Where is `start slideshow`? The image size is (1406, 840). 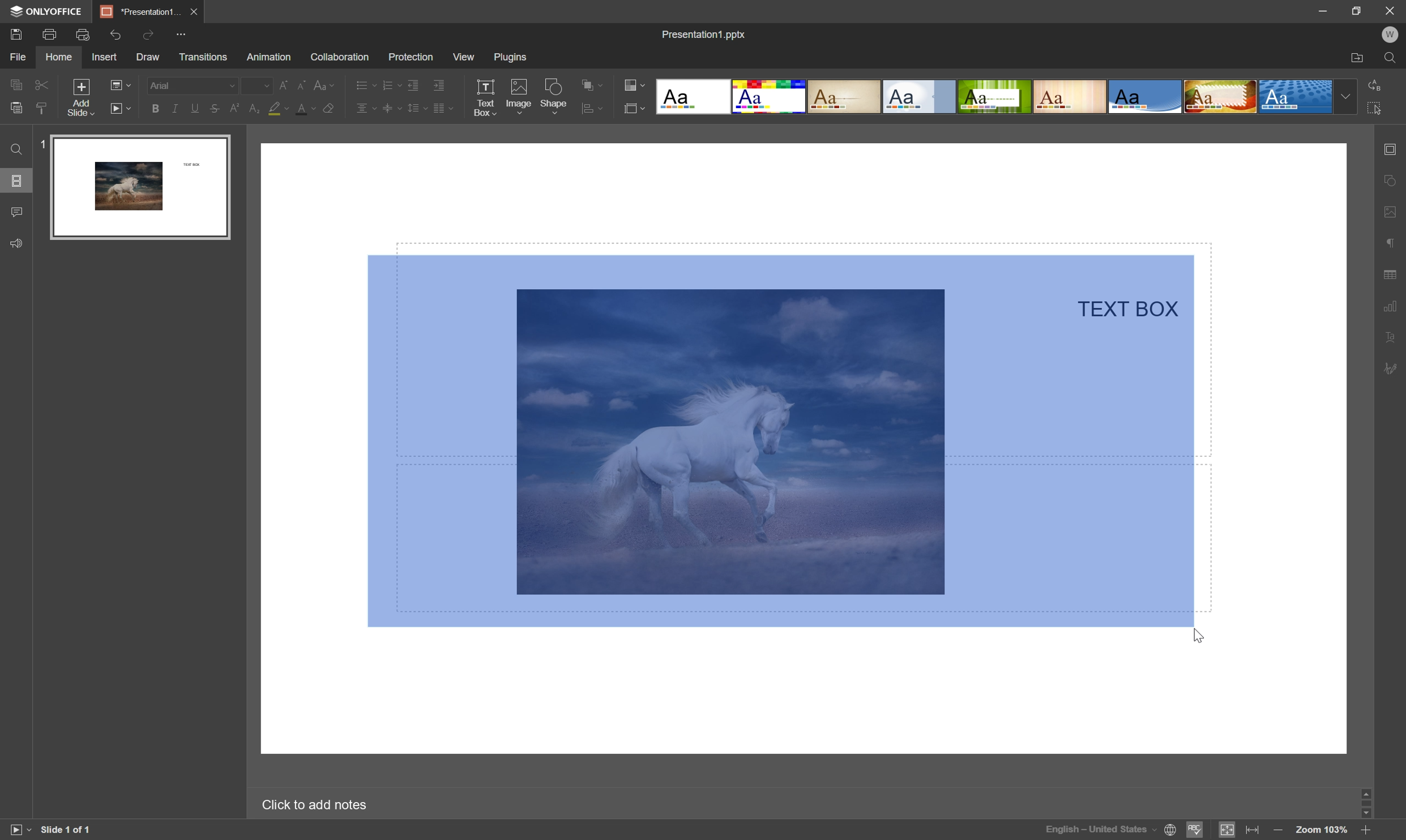
start slideshow is located at coordinates (121, 108).